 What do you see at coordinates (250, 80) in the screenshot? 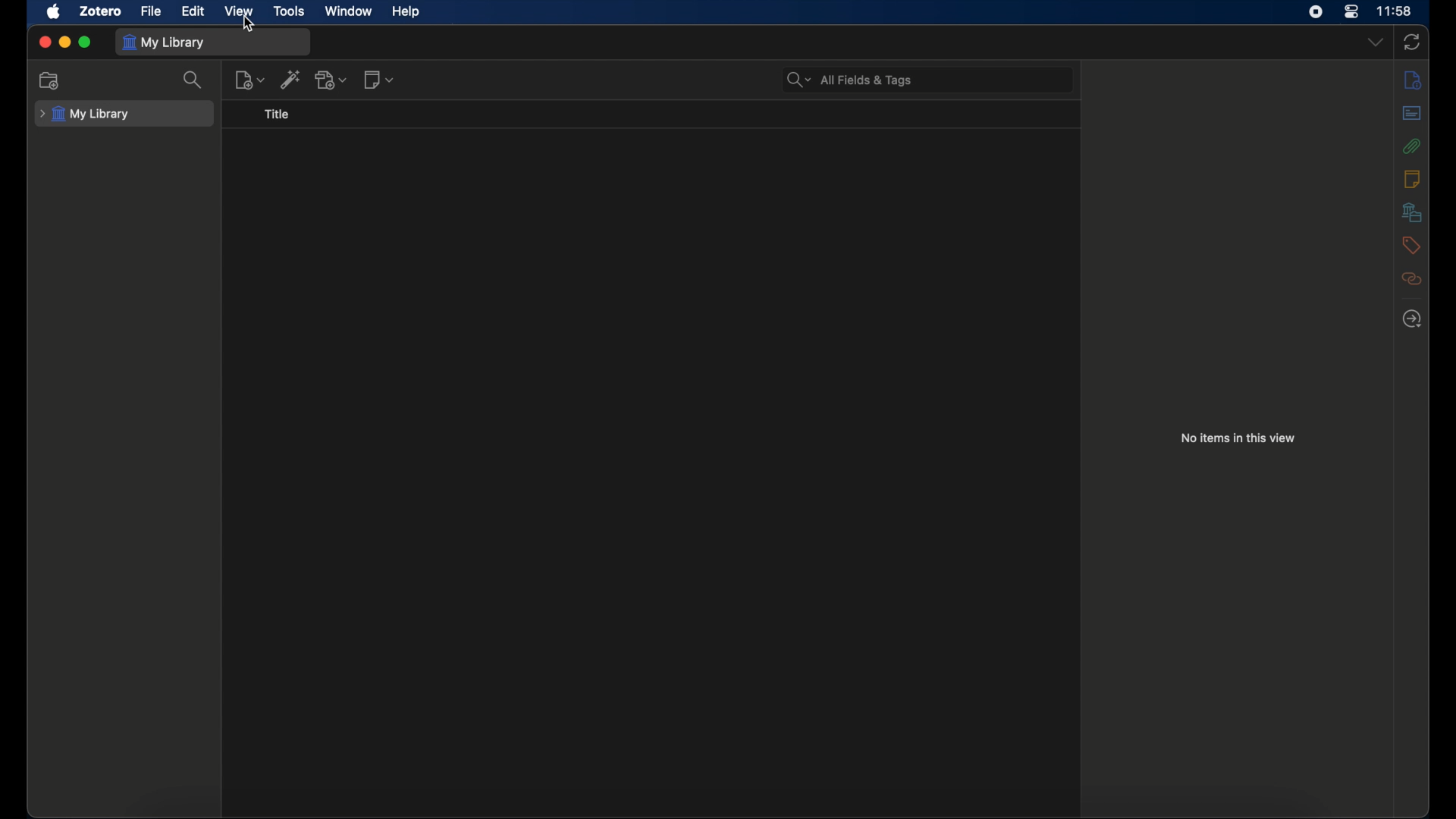
I see `new item` at bounding box center [250, 80].